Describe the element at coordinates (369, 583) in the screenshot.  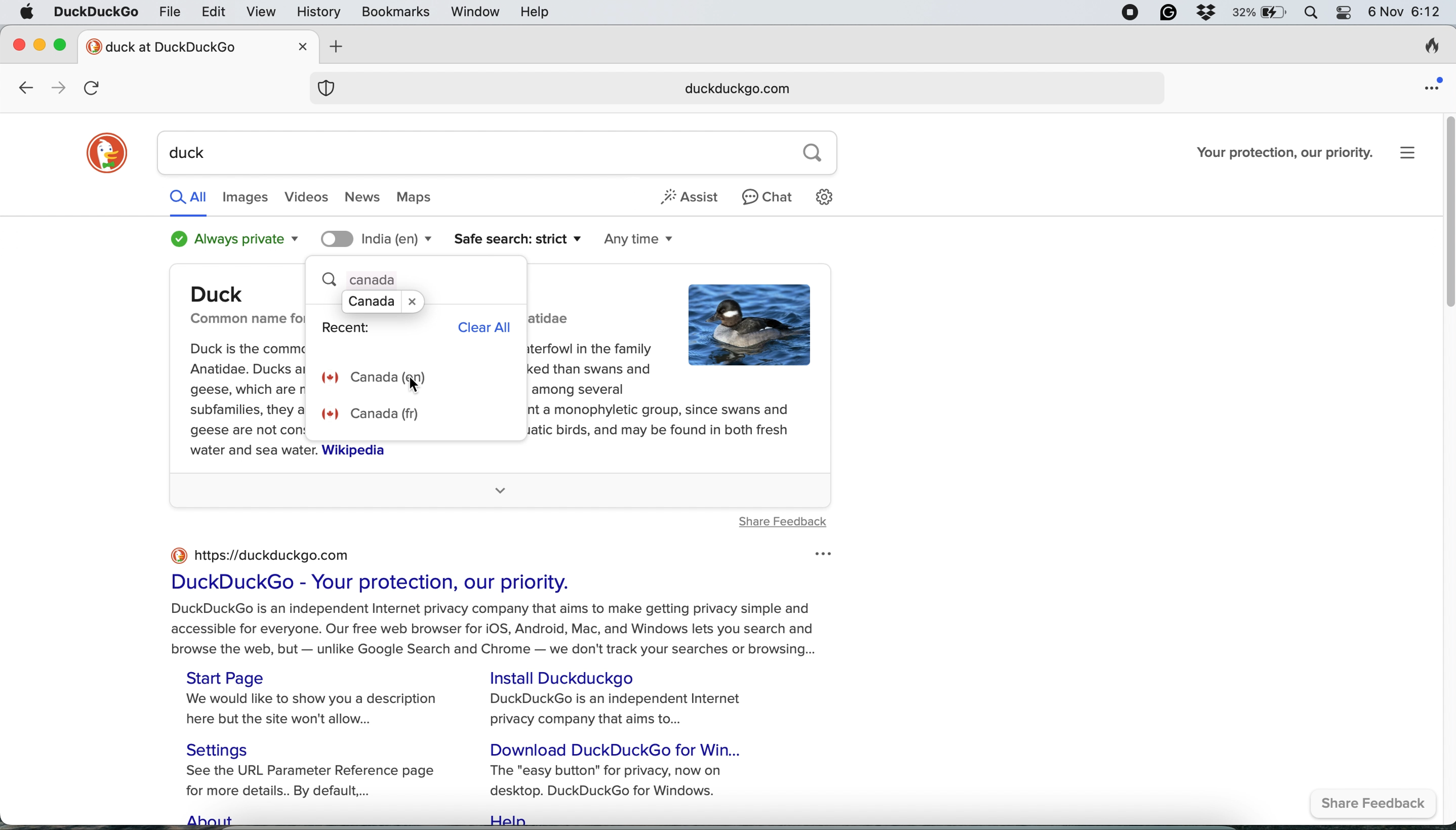
I see `DuckDuckGo - Your protection, our priority.` at that location.